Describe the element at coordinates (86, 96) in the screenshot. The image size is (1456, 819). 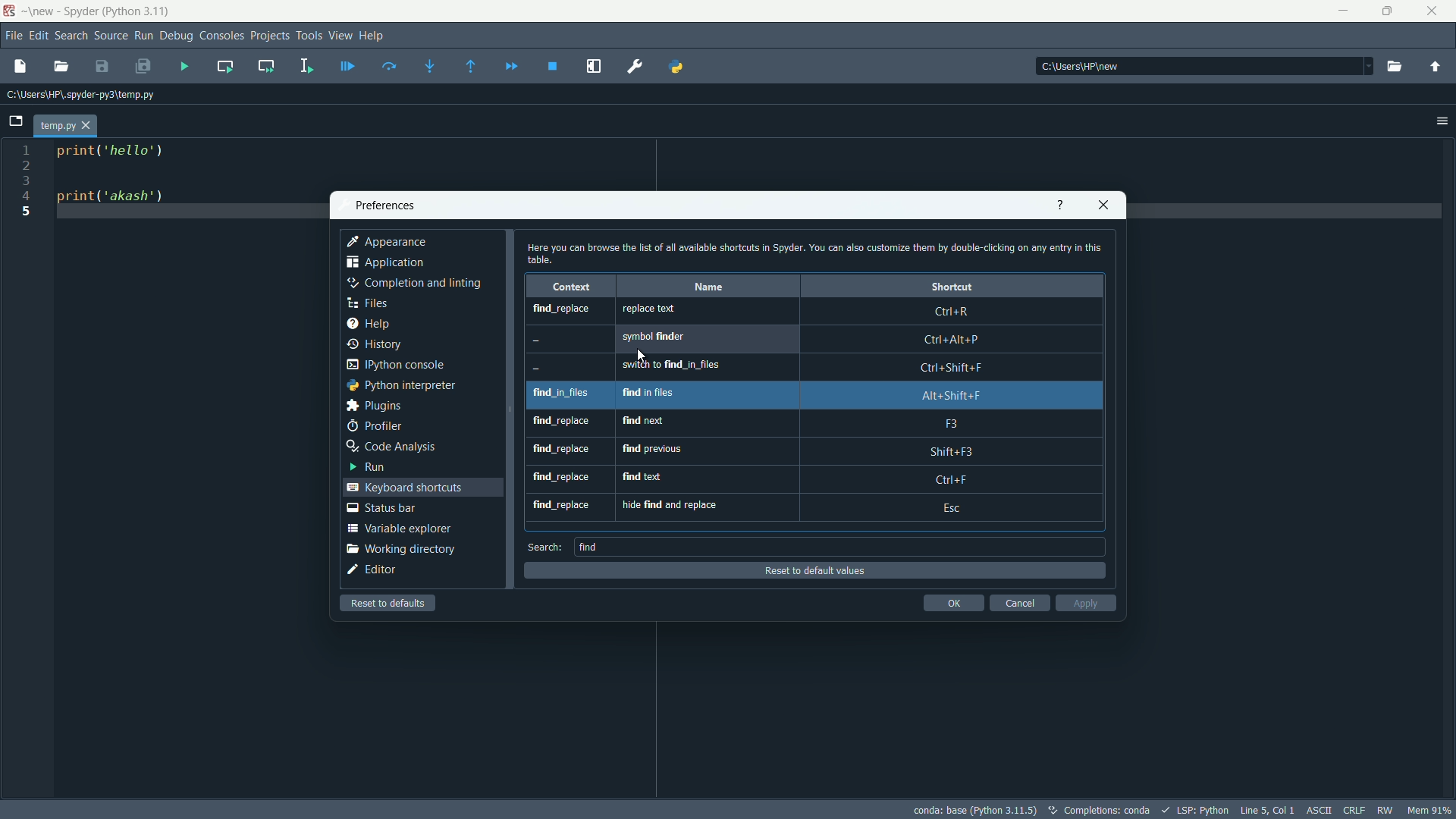
I see `c:\users\hp\.spyder-py3\temp.py` at that location.